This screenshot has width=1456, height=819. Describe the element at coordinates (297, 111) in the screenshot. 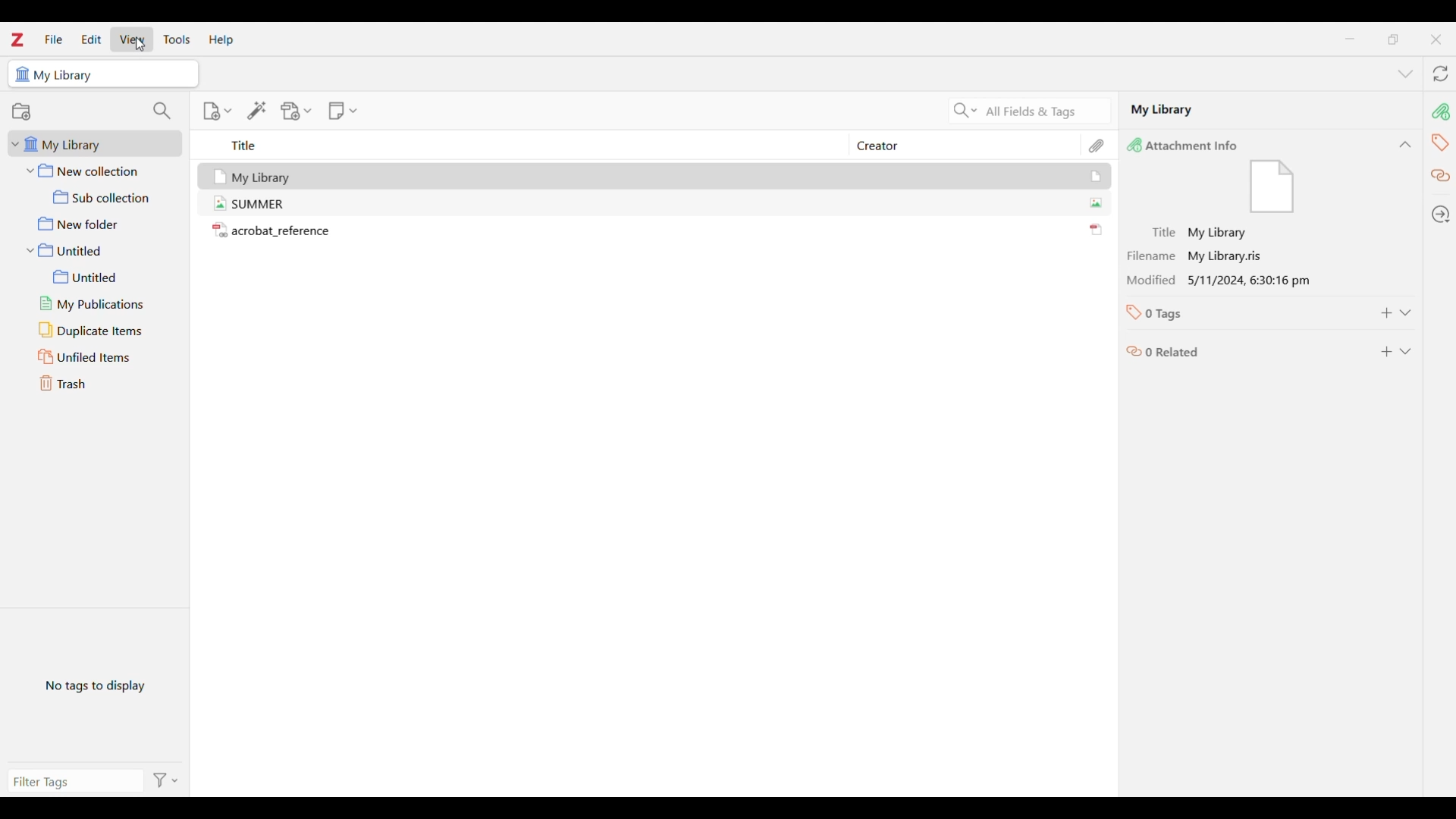

I see `Add attachment options` at that location.